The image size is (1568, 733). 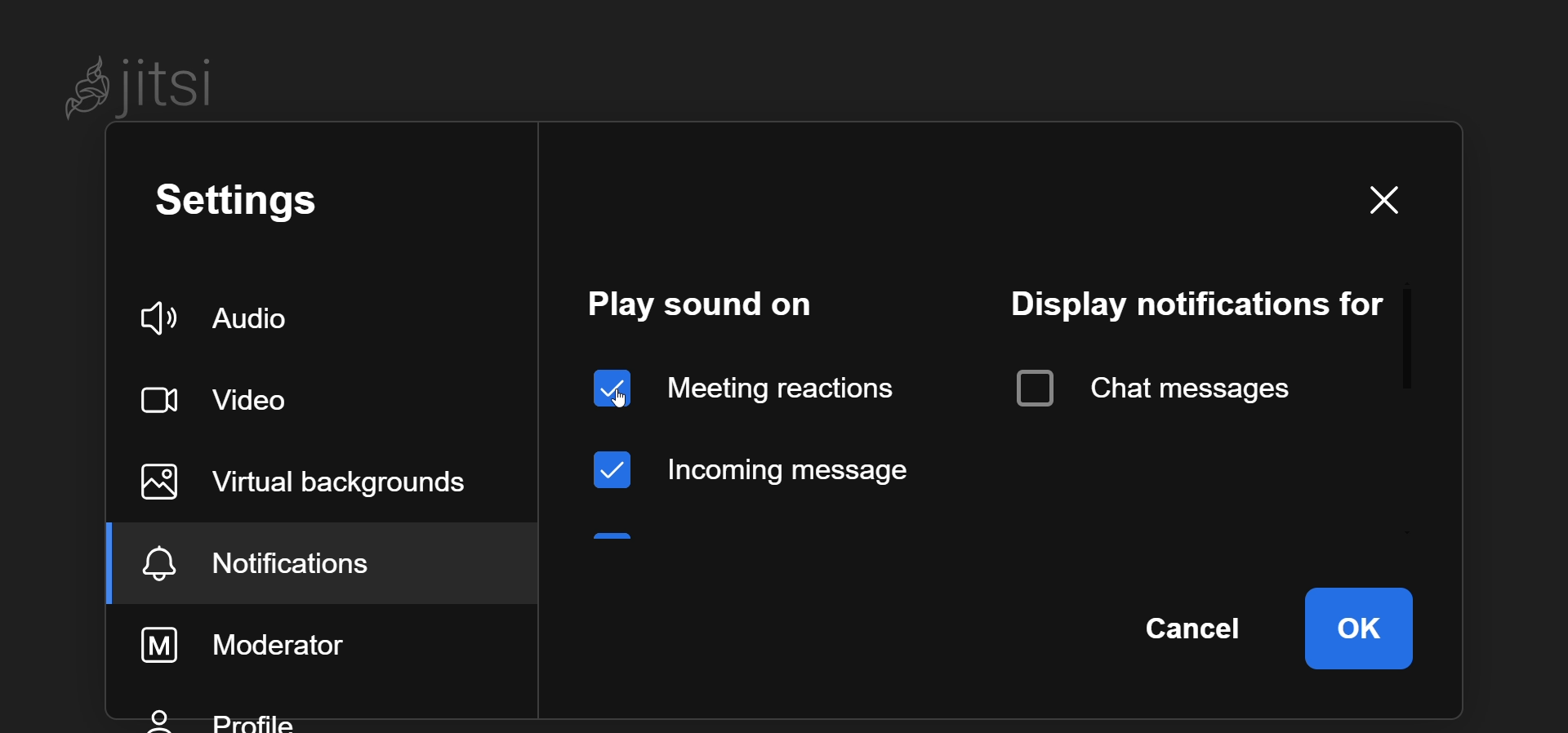 What do you see at coordinates (327, 483) in the screenshot?
I see `virtual background` at bounding box center [327, 483].